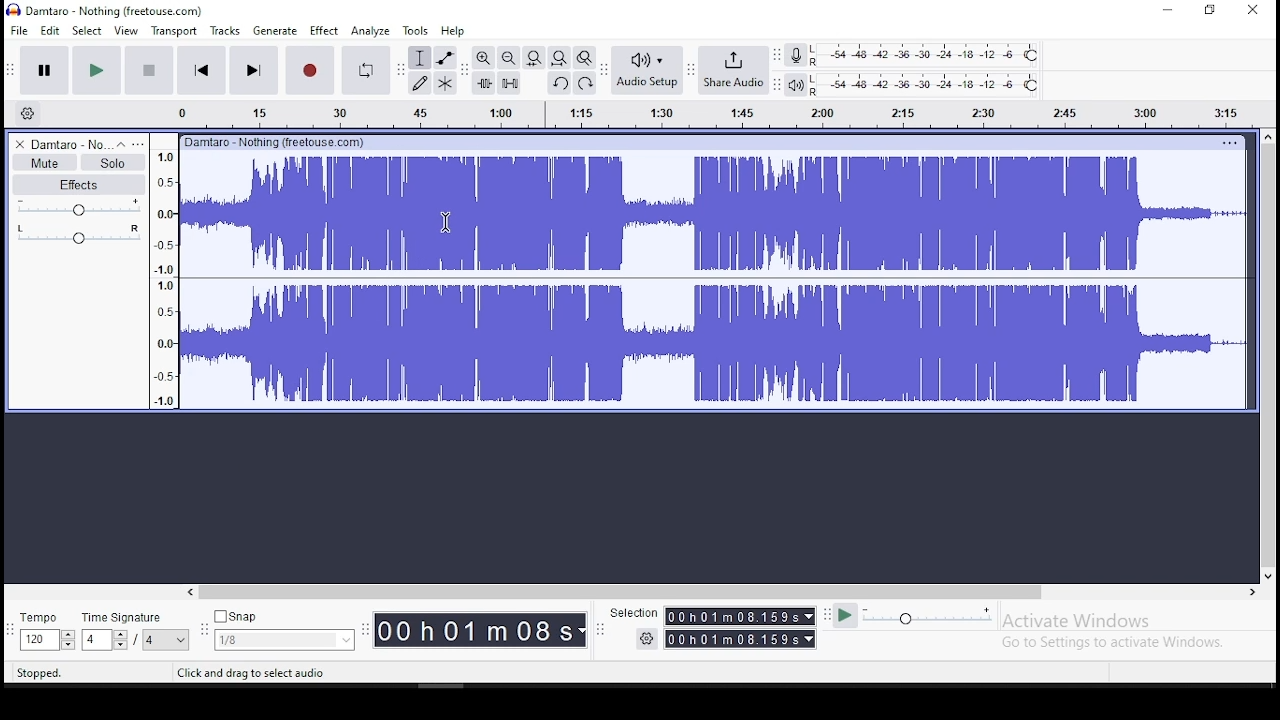 This screenshot has height=720, width=1280. I want to click on help, so click(454, 30).